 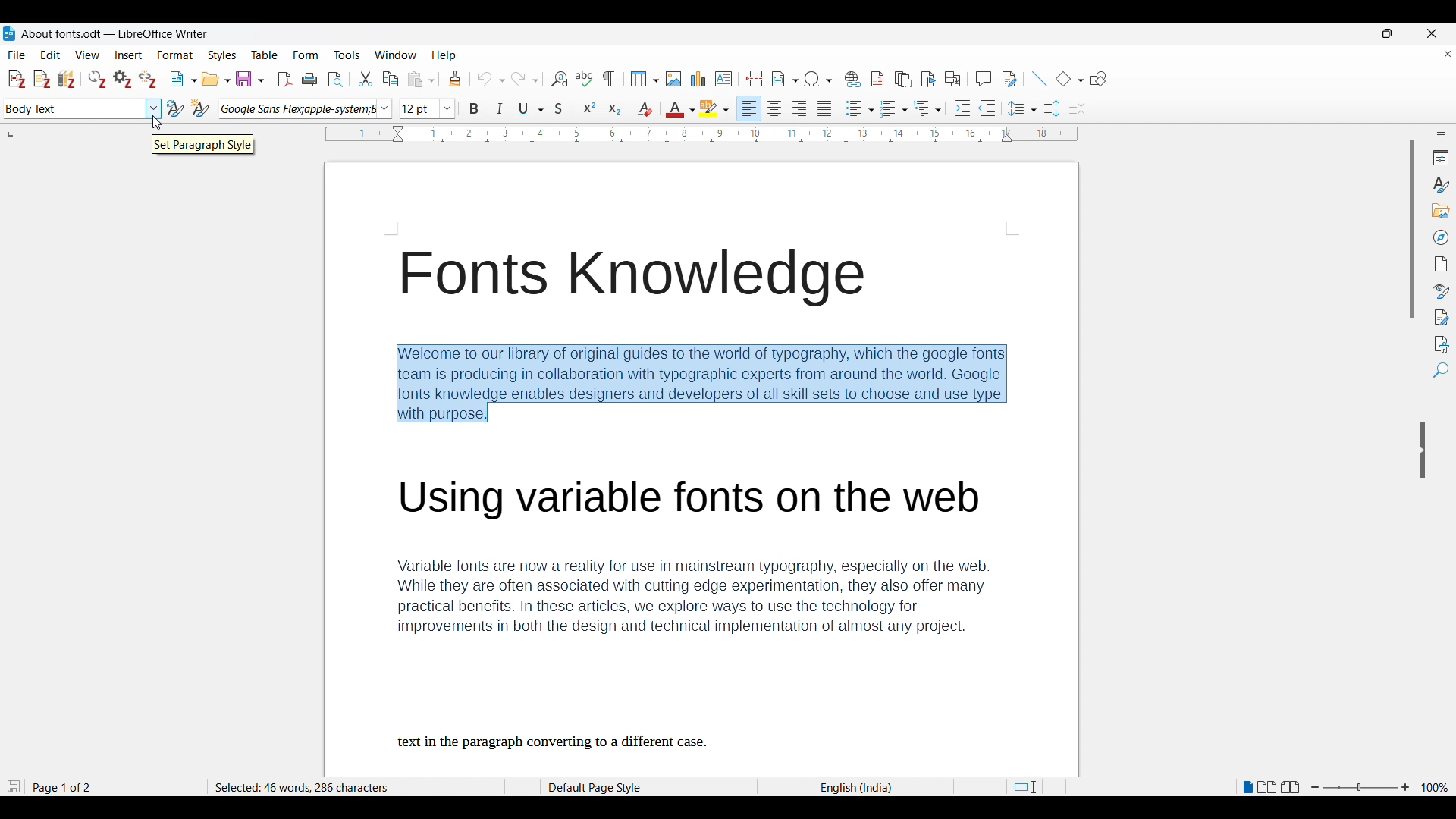 What do you see at coordinates (305, 787) in the screenshot?
I see `Selected 46 words, 216 characters` at bounding box center [305, 787].